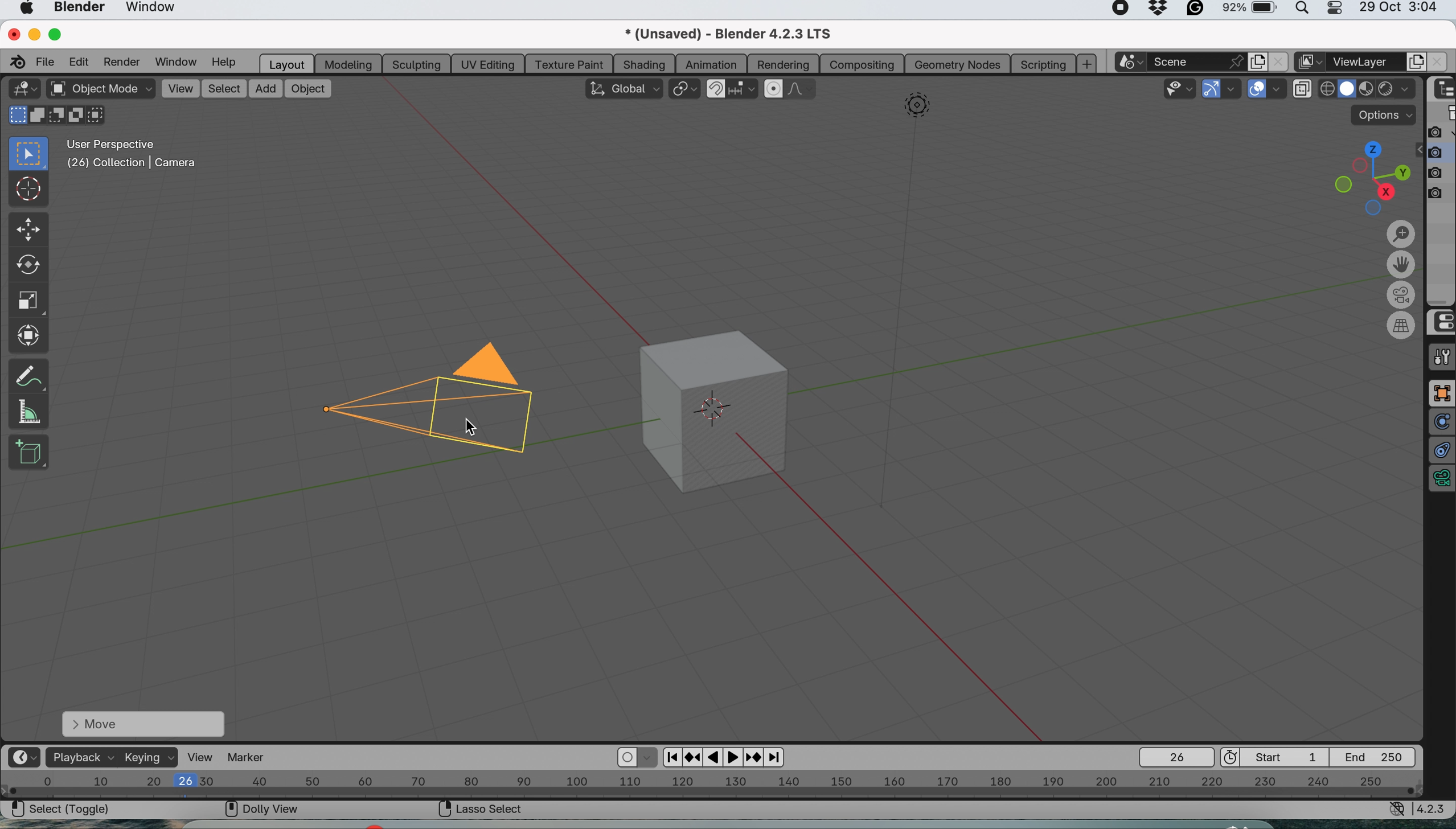 This screenshot has width=1456, height=829. I want to click on measure, so click(28, 411).